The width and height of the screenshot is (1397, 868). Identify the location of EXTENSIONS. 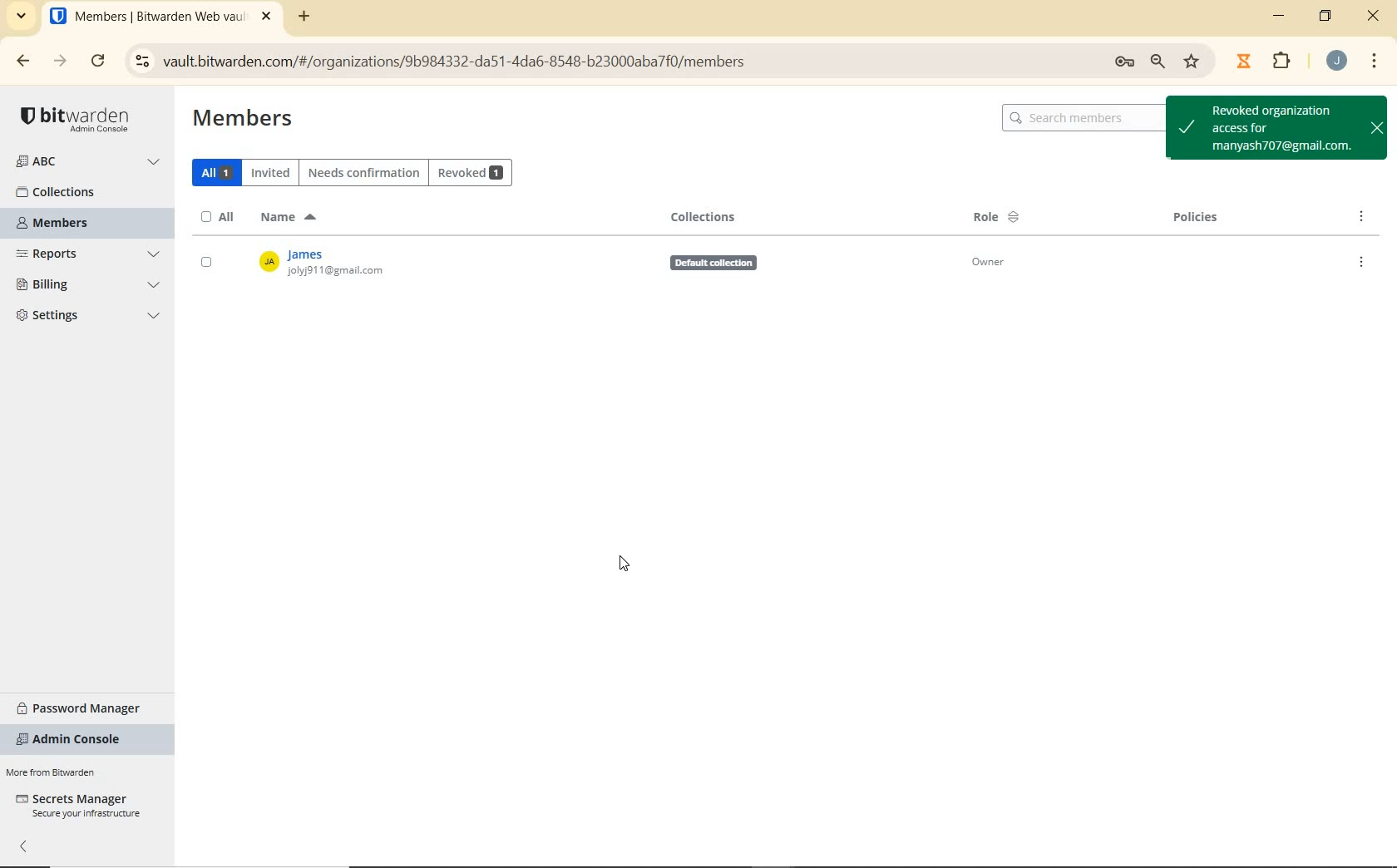
(1266, 60).